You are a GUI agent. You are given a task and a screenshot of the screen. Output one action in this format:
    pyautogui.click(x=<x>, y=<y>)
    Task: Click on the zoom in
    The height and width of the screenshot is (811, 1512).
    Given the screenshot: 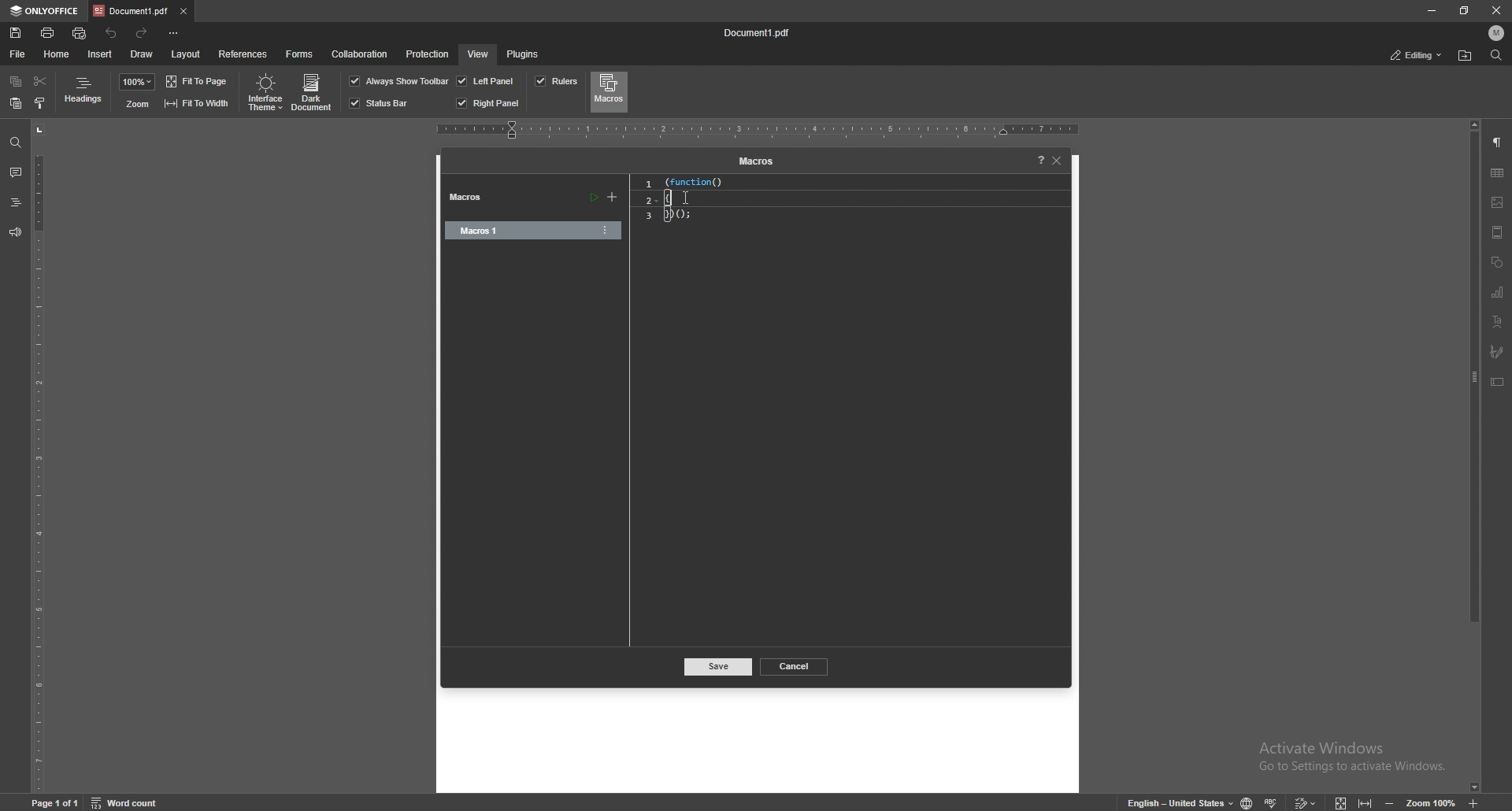 What is the action you would take?
    pyautogui.click(x=1475, y=804)
    